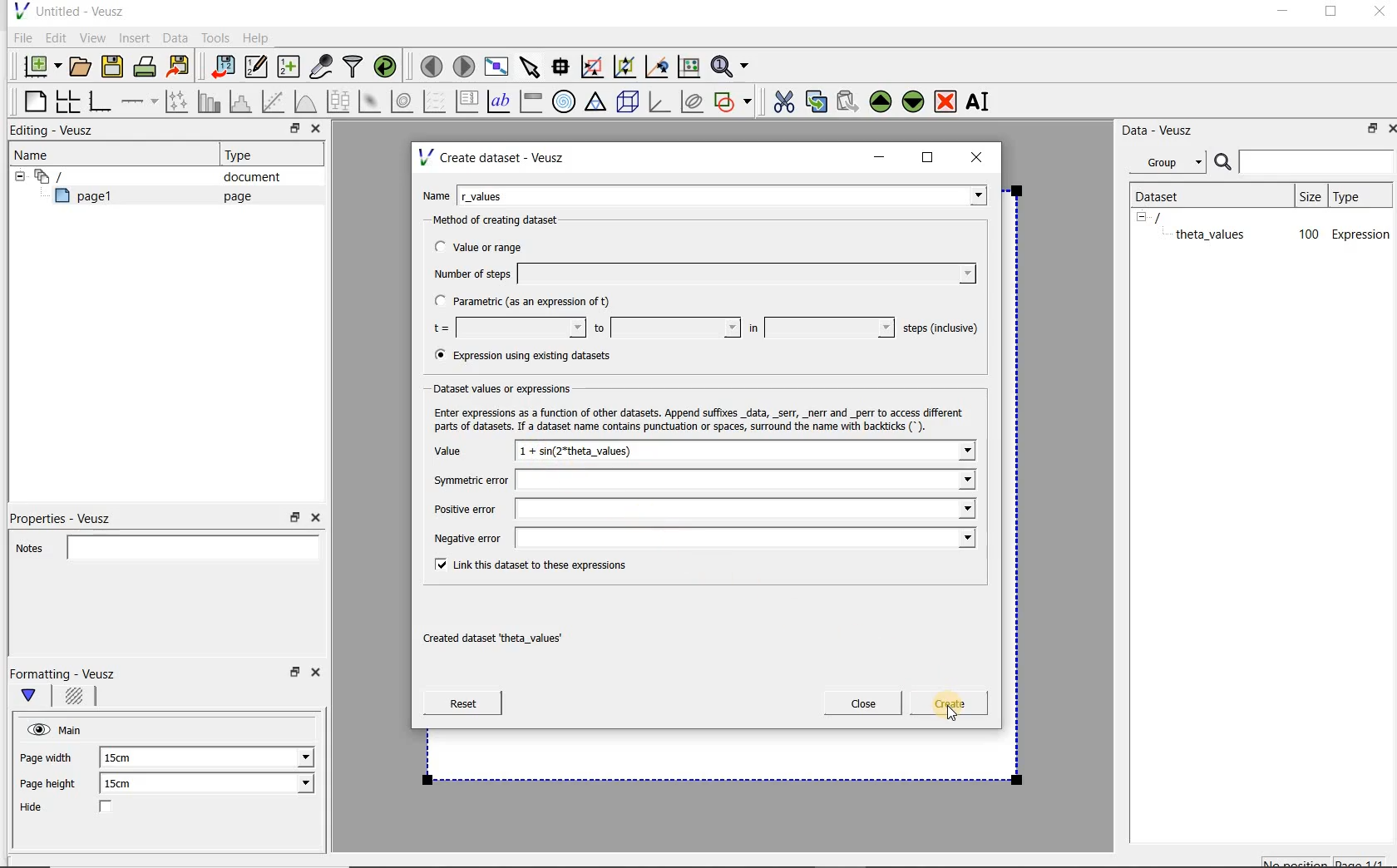 The height and width of the screenshot is (868, 1397). Describe the element at coordinates (494, 157) in the screenshot. I see `Create dataset - Veusz` at that location.